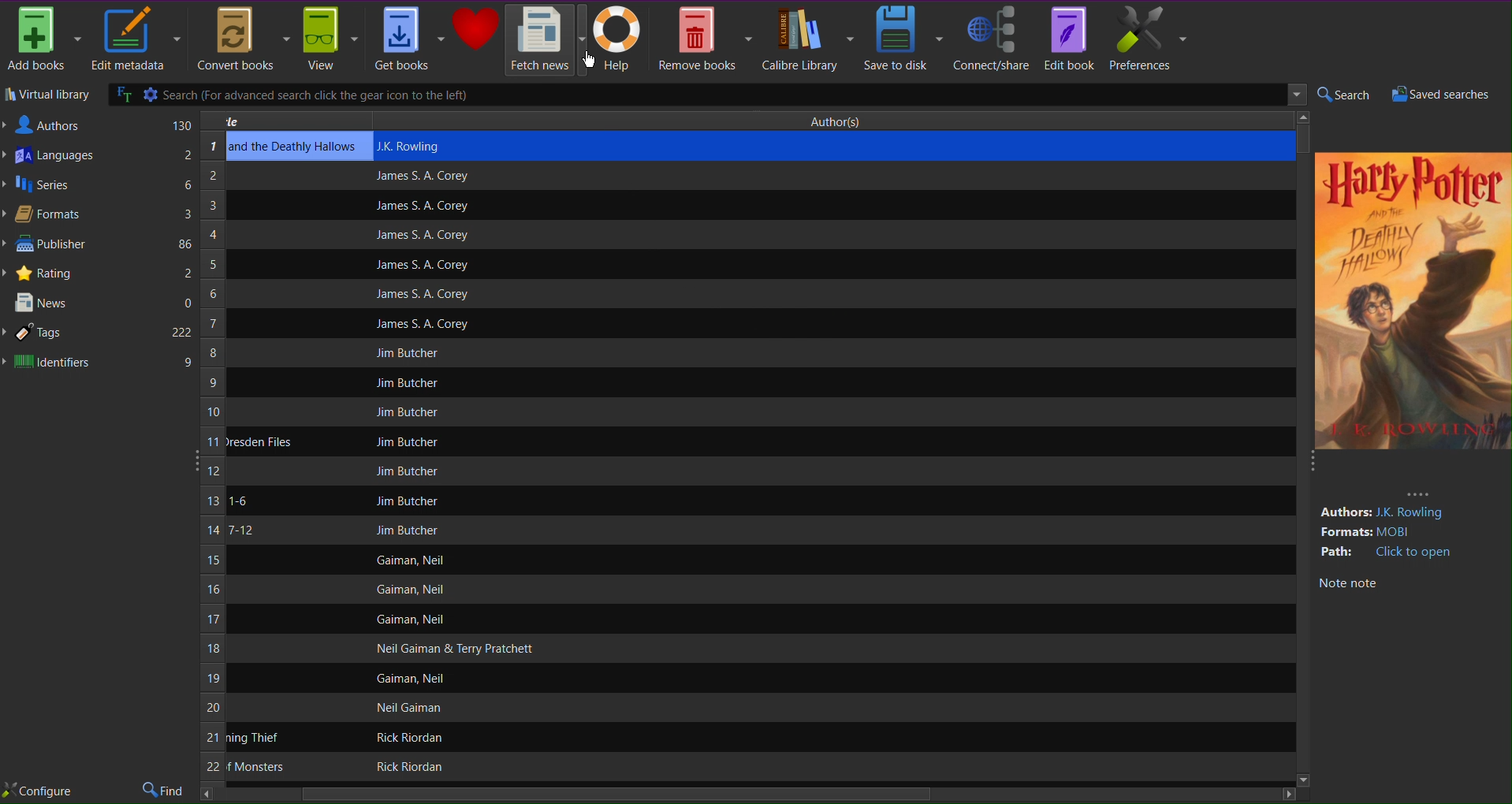 The width and height of the screenshot is (1512, 804). Describe the element at coordinates (588, 60) in the screenshot. I see `cursor` at that location.